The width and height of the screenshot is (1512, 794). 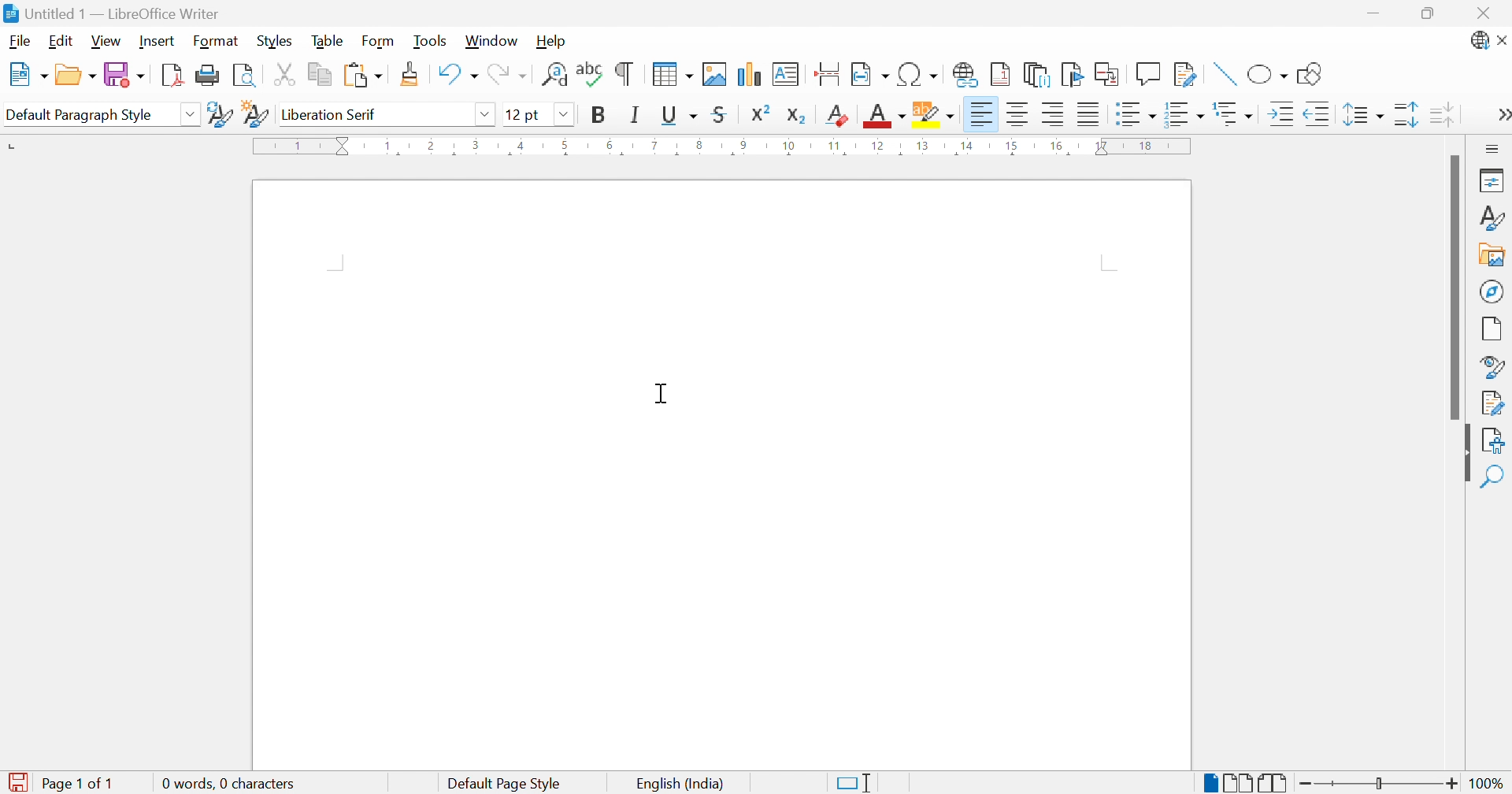 I want to click on Redo, so click(x=506, y=78).